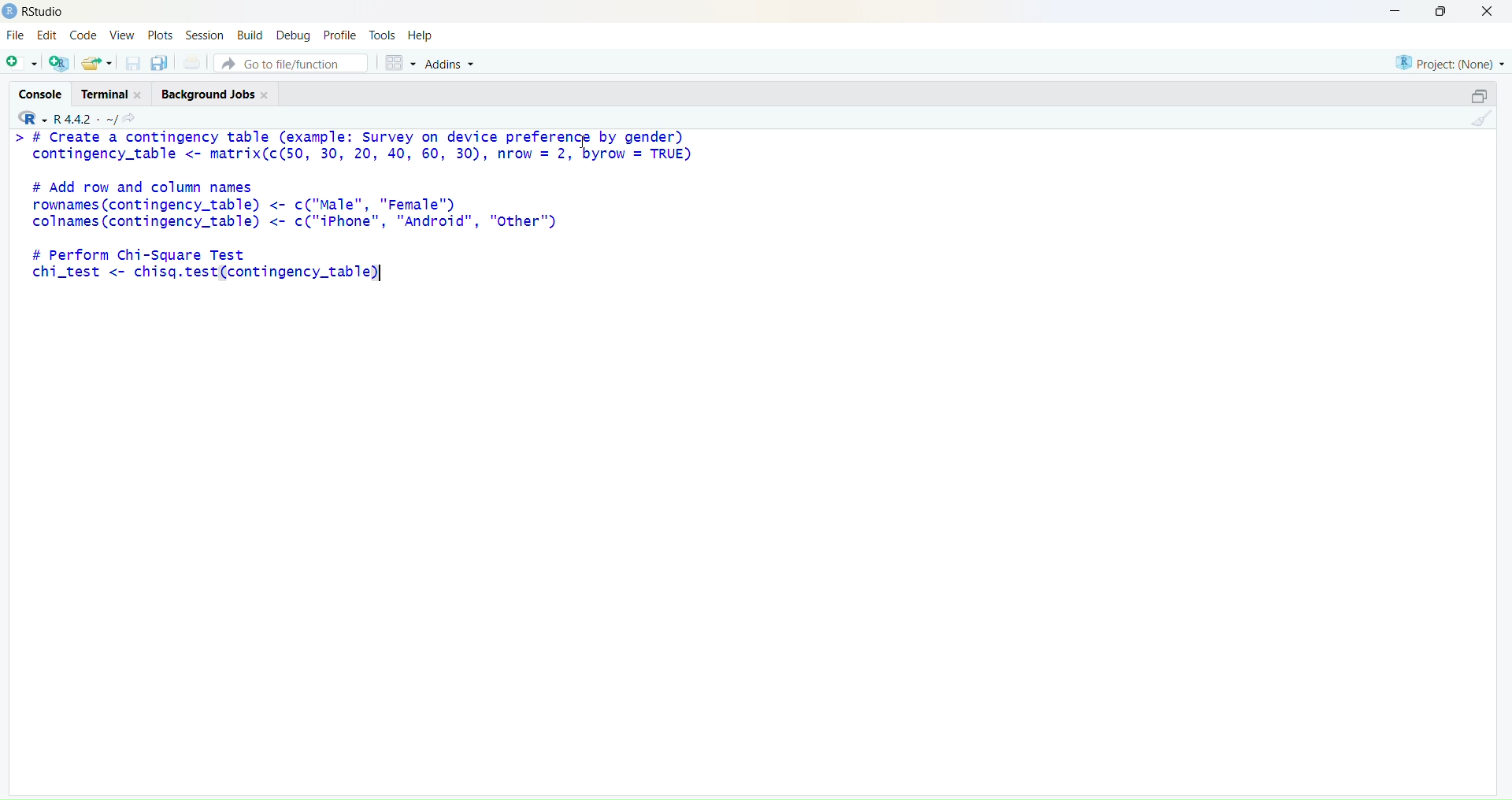  What do you see at coordinates (87, 120) in the screenshot?
I see `R 4.4.2 ~/` at bounding box center [87, 120].